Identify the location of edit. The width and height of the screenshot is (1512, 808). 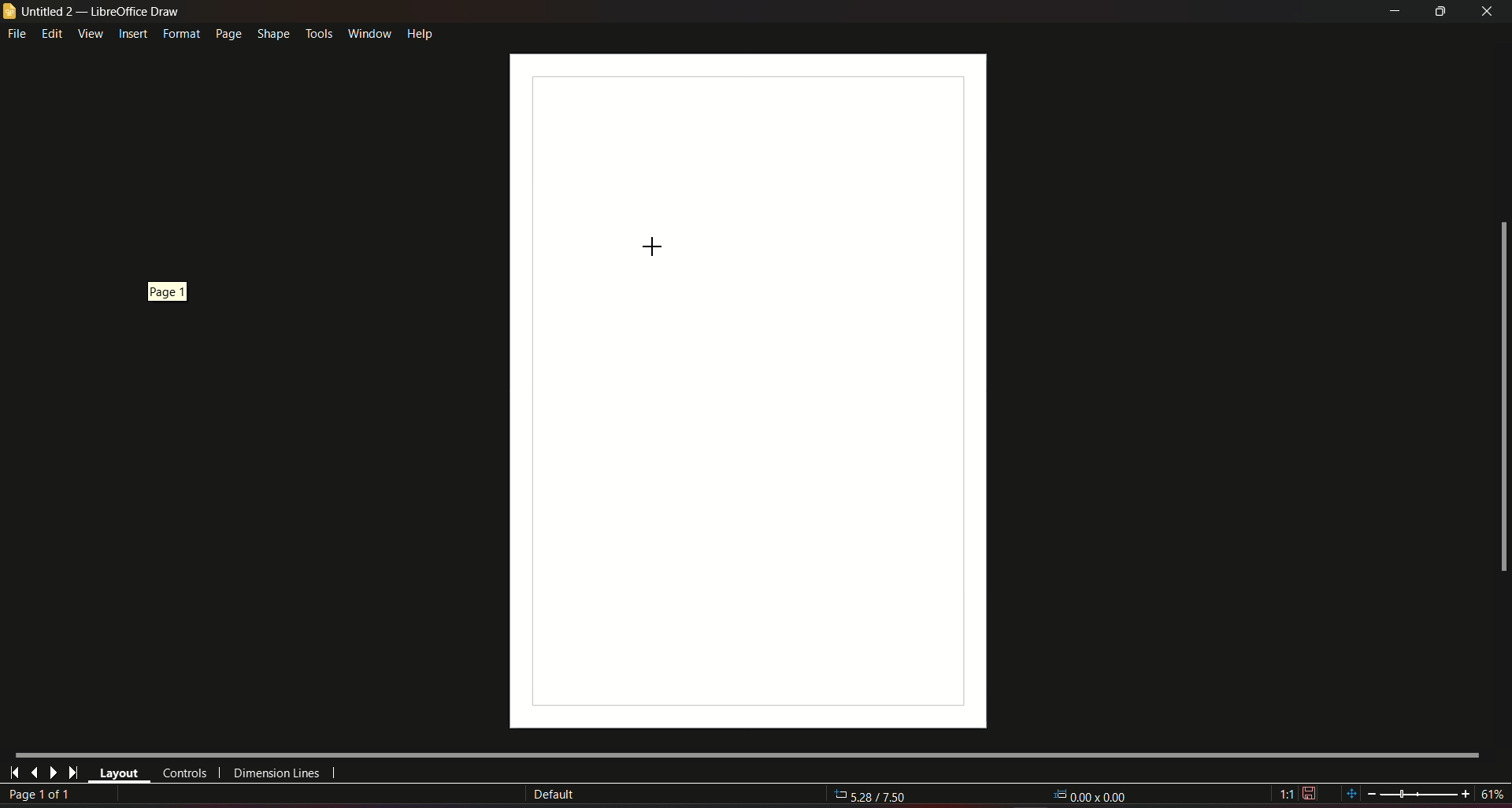
(53, 33).